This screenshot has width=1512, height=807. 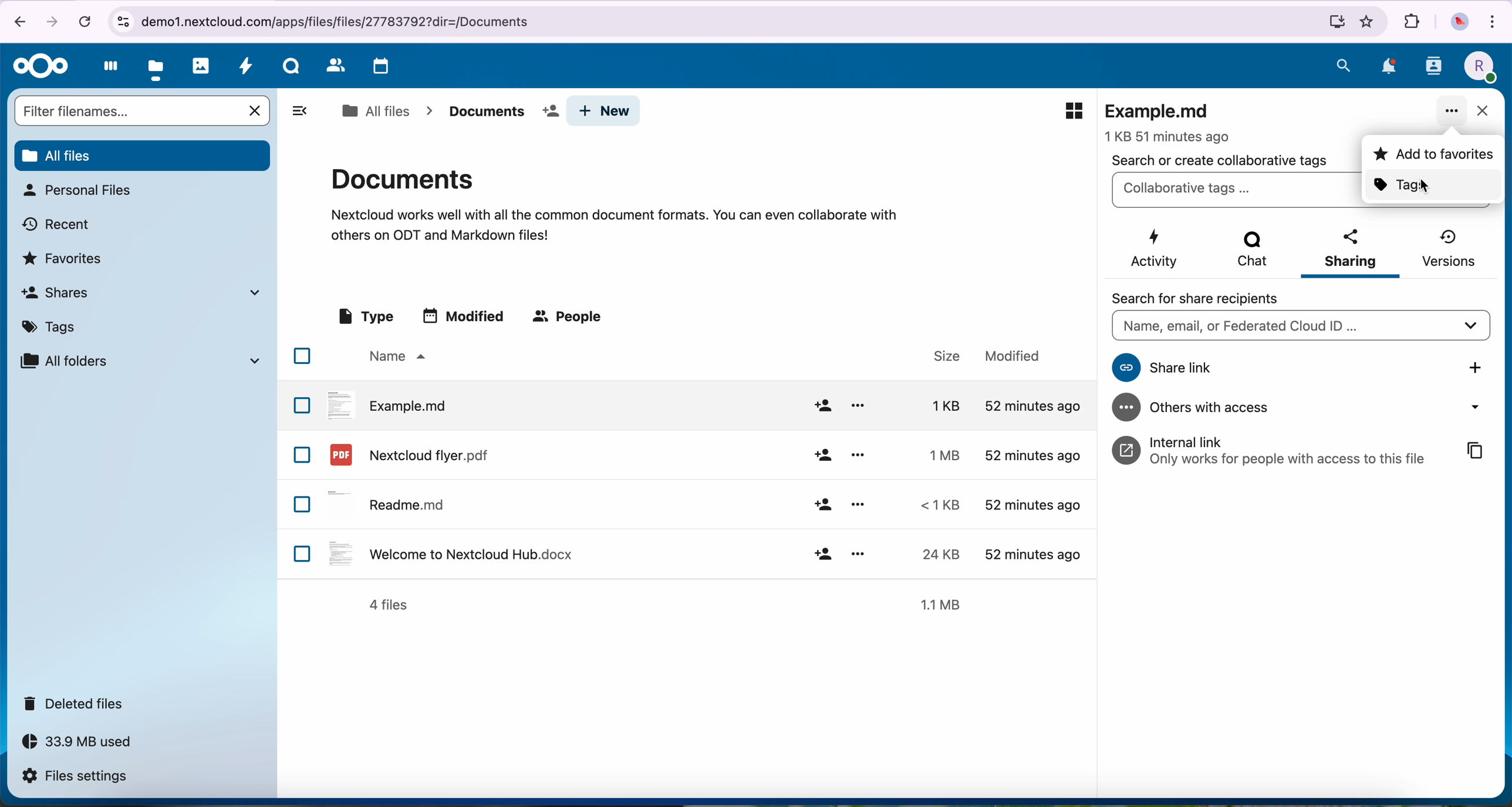 What do you see at coordinates (333, 66) in the screenshot?
I see `contacts` at bounding box center [333, 66].